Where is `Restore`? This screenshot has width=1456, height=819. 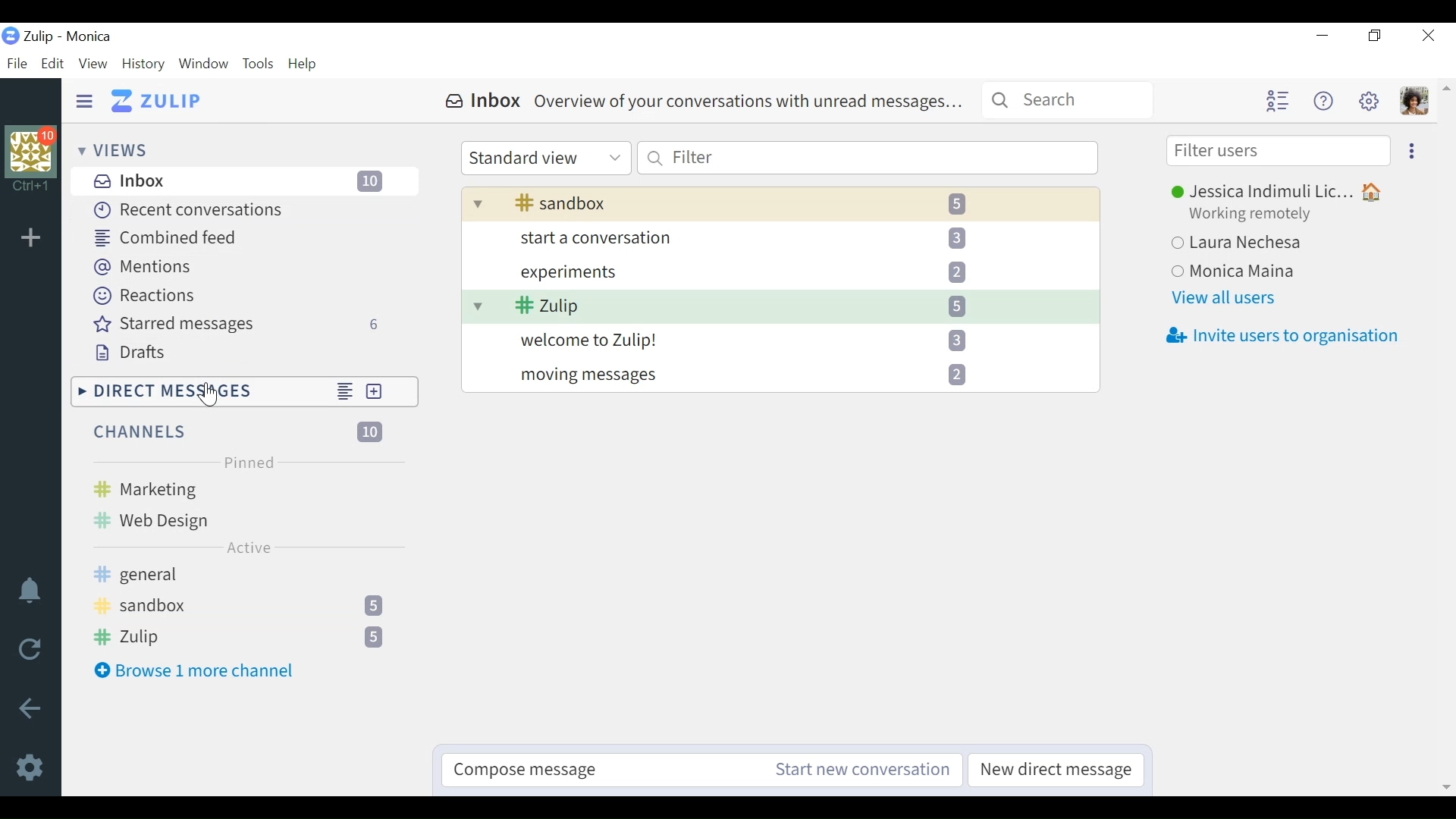 Restore is located at coordinates (1373, 38).